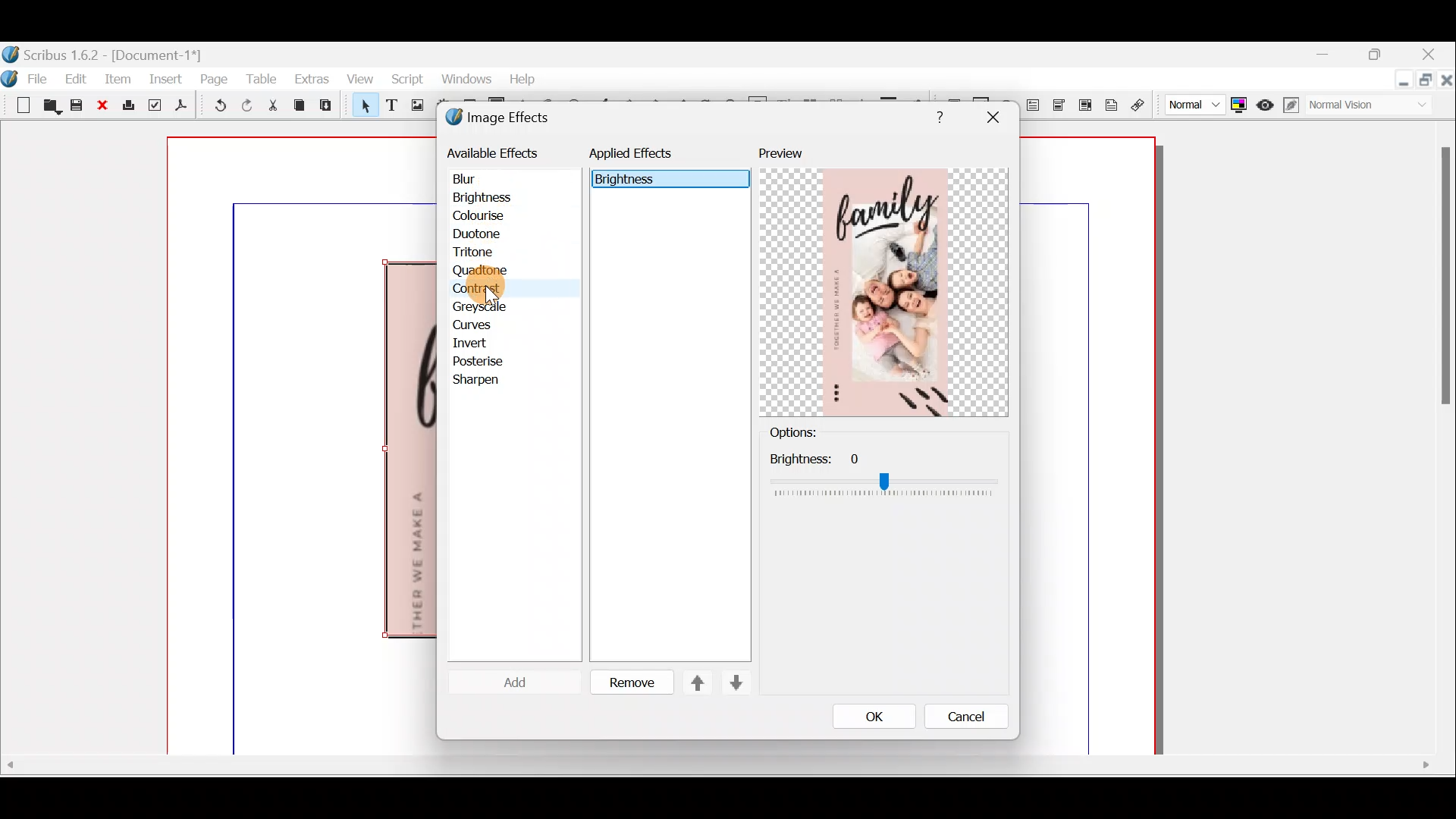  What do you see at coordinates (1293, 105) in the screenshot?
I see `Edit in preview mode` at bounding box center [1293, 105].